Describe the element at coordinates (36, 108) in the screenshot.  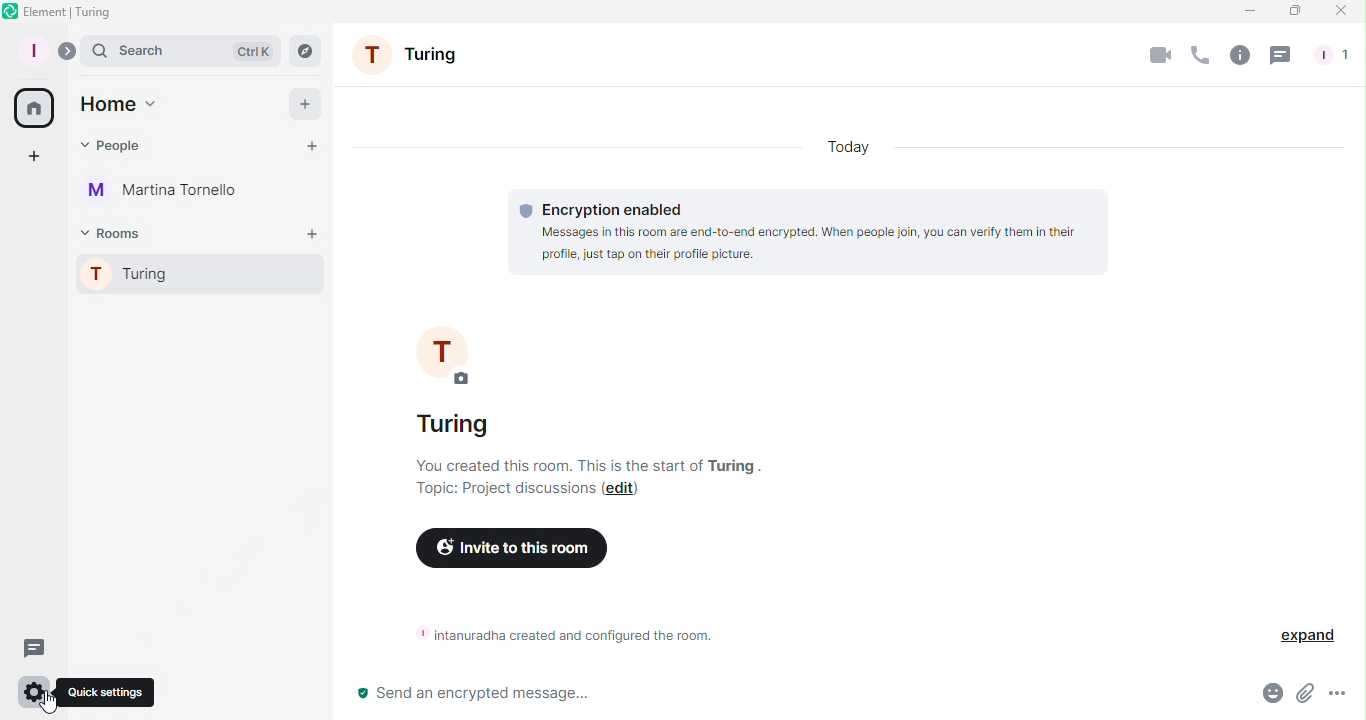
I see `Home` at that location.